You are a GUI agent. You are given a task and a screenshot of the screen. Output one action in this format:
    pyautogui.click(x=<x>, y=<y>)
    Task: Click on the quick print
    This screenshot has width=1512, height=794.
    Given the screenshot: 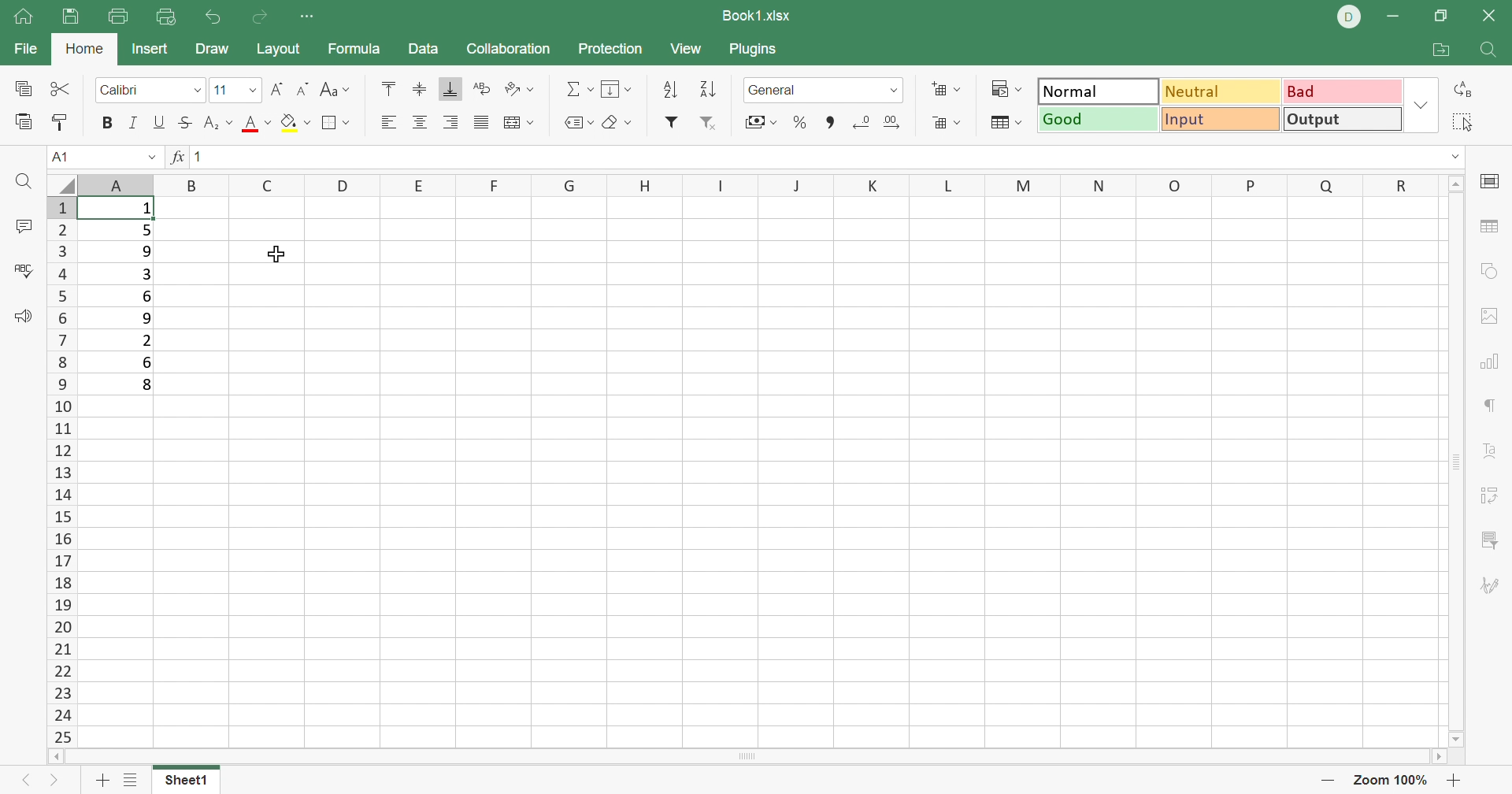 What is the action you would take?
    pyautogui.click(x=163, y=17)
    